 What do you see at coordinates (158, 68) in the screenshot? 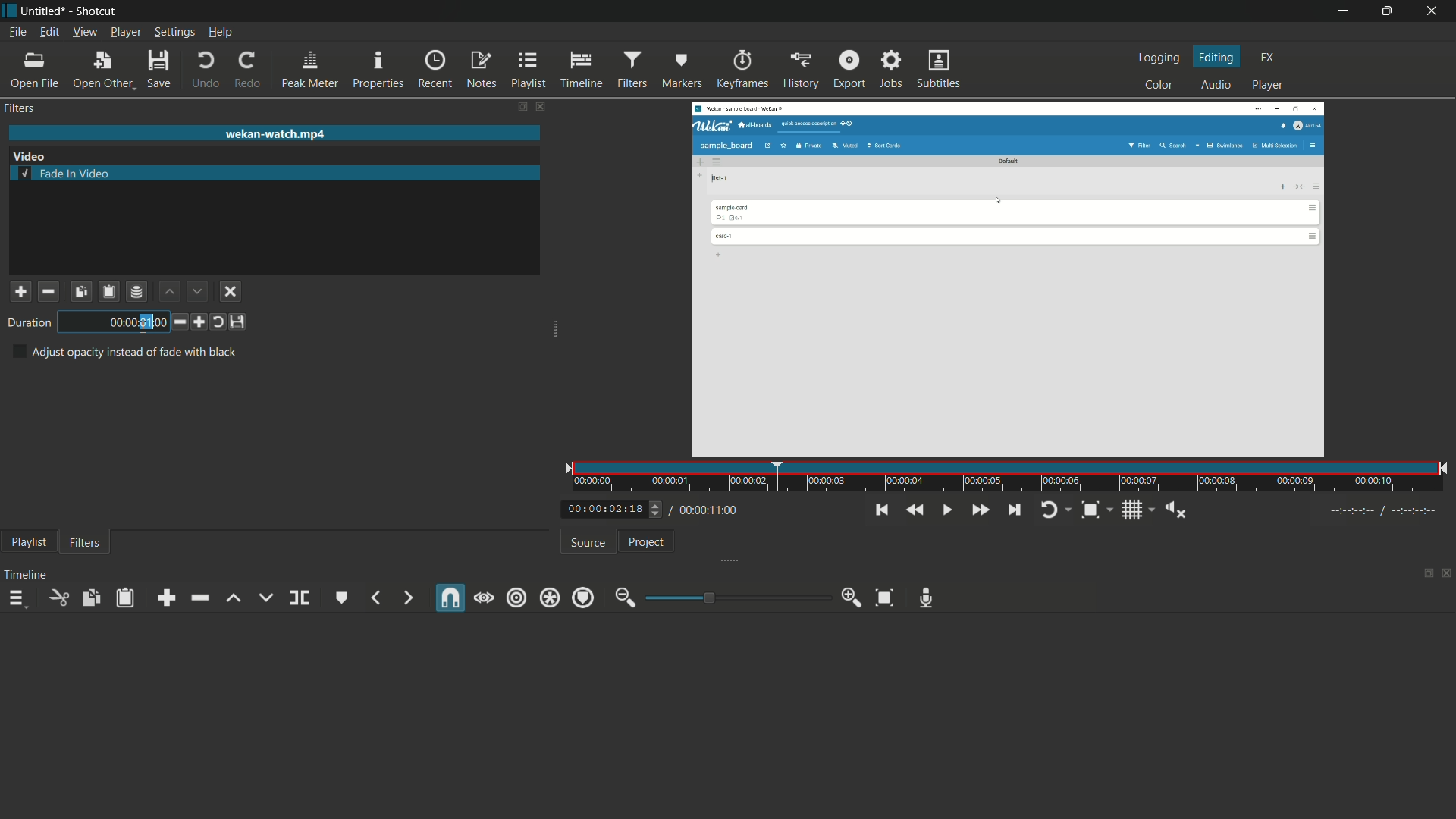
I see `save` at bounding box center [158, 68].